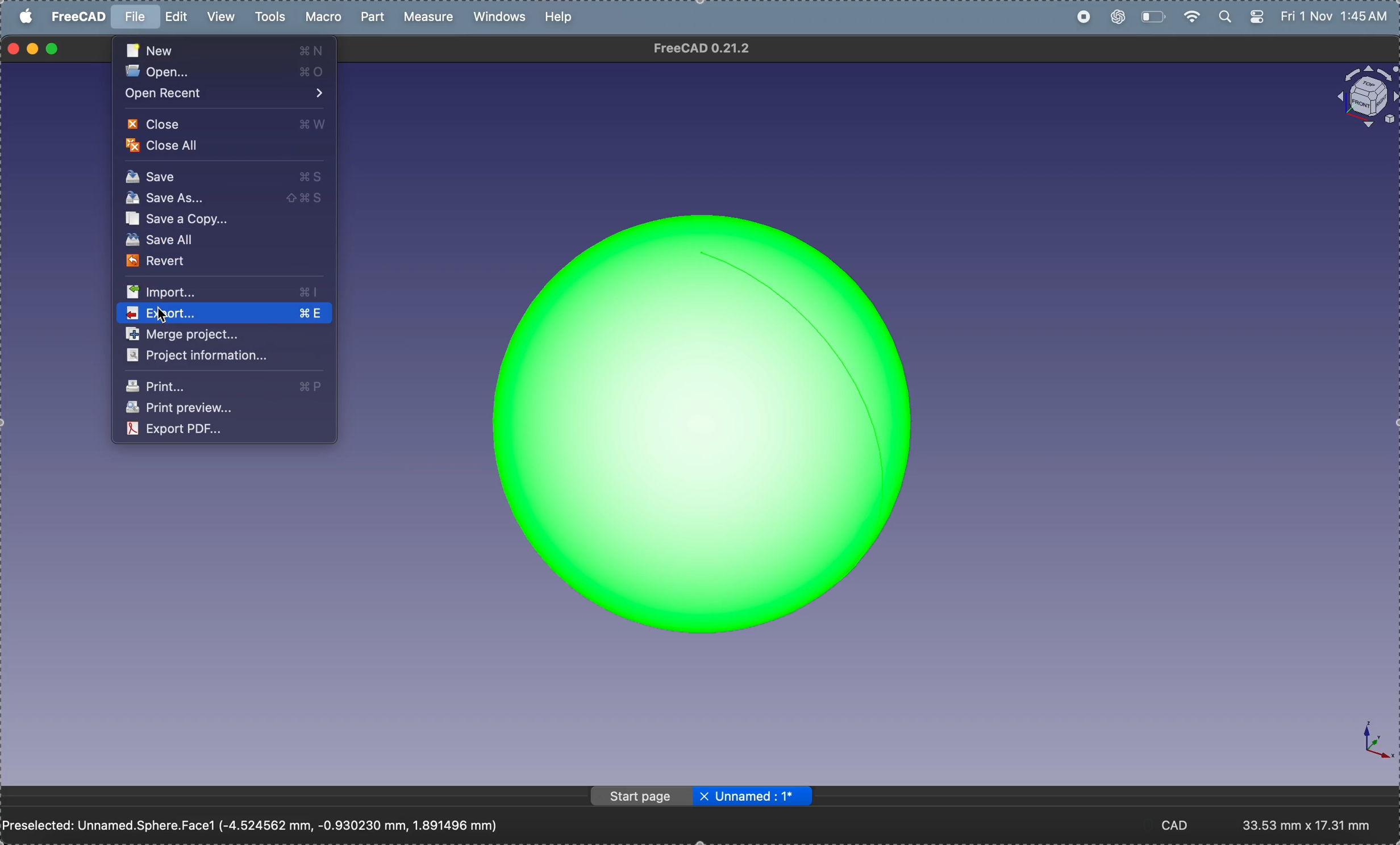  I want to click on apple menu, so click(27, 15).